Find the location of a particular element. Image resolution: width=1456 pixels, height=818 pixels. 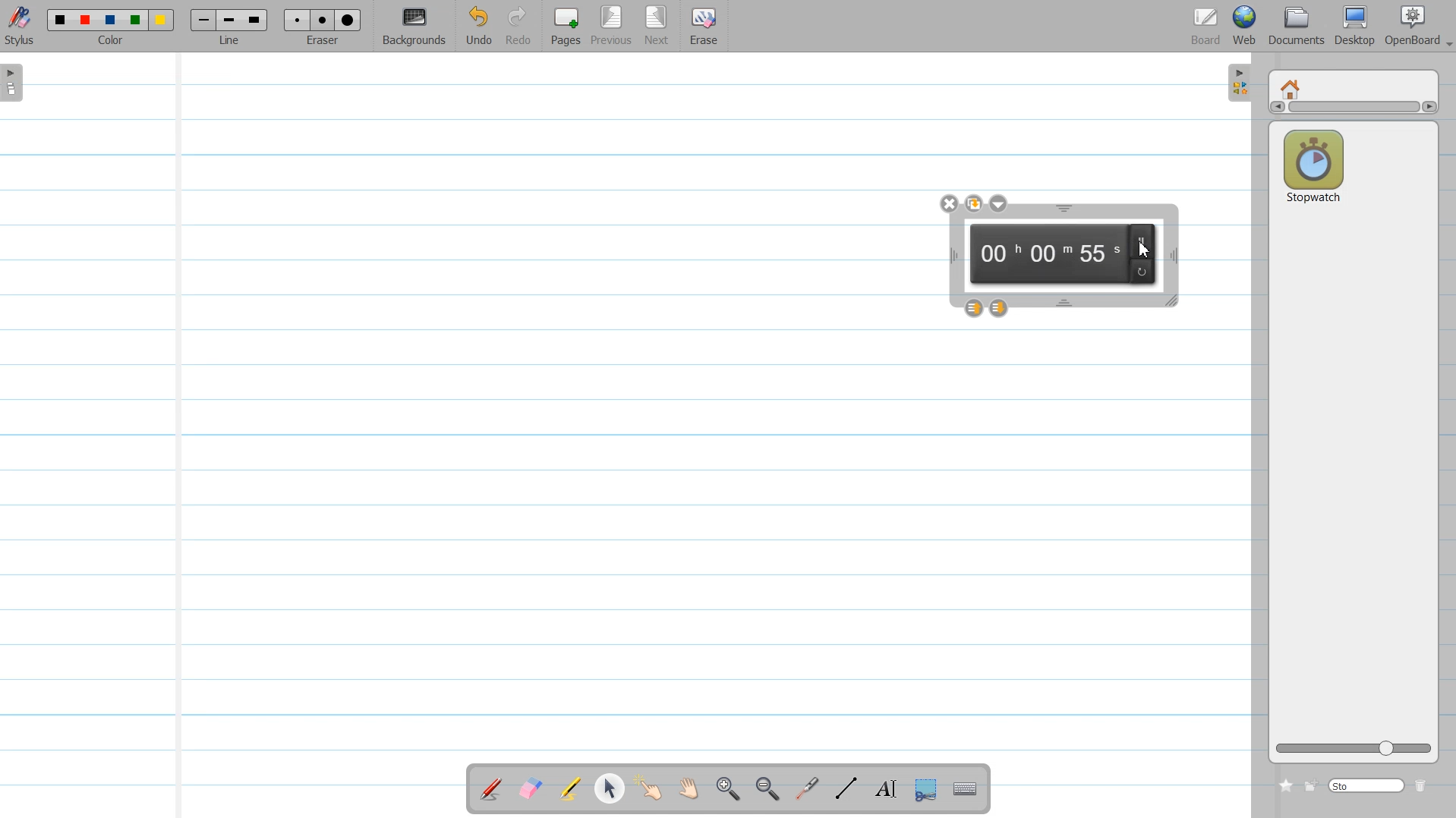

Eraser is located at coordinates (323, 27).